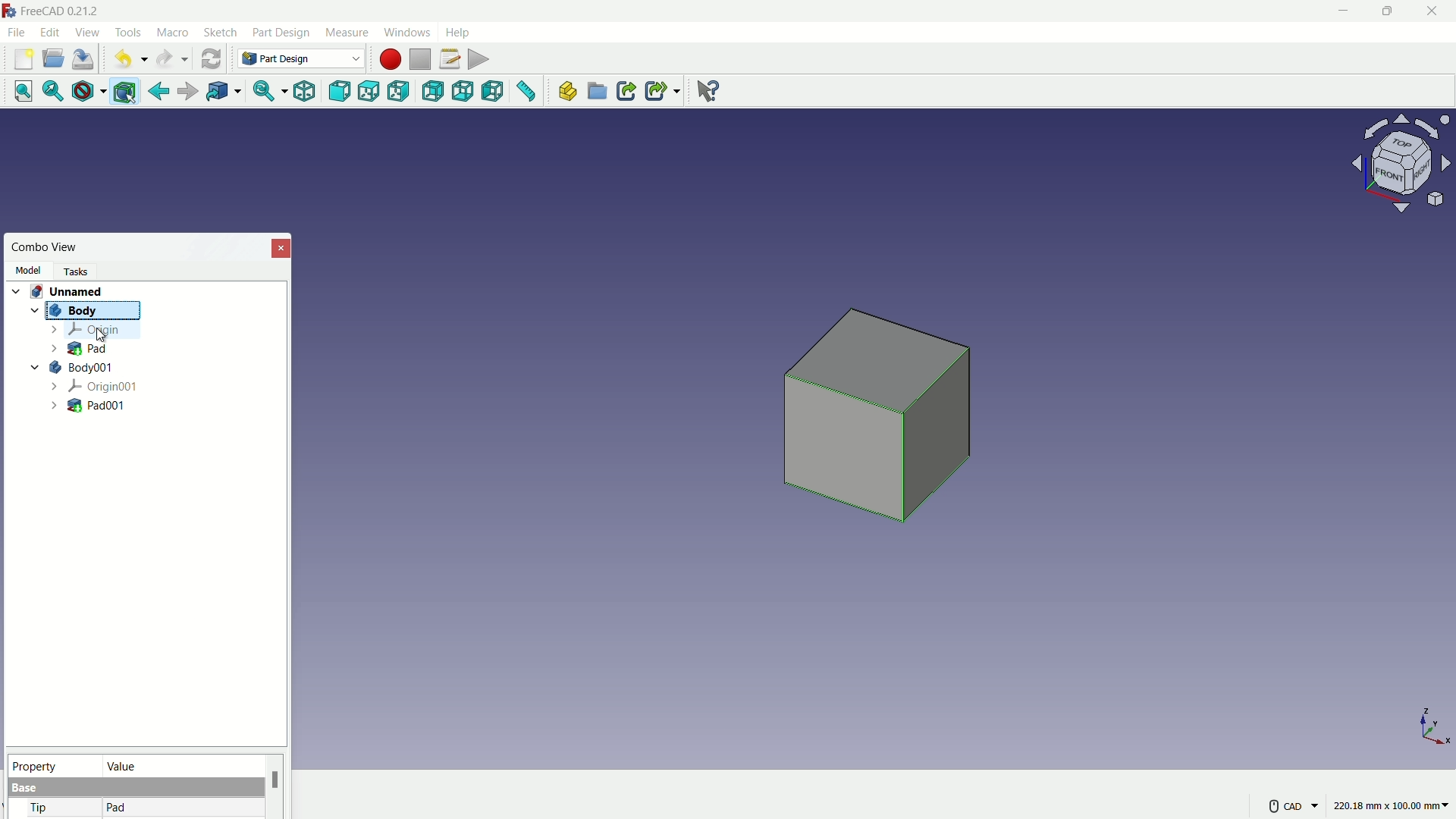 The image size is (1456, 819). Describe the element at coordinates (275, 786) in the screenshot. I see `scroll bar` at that location.